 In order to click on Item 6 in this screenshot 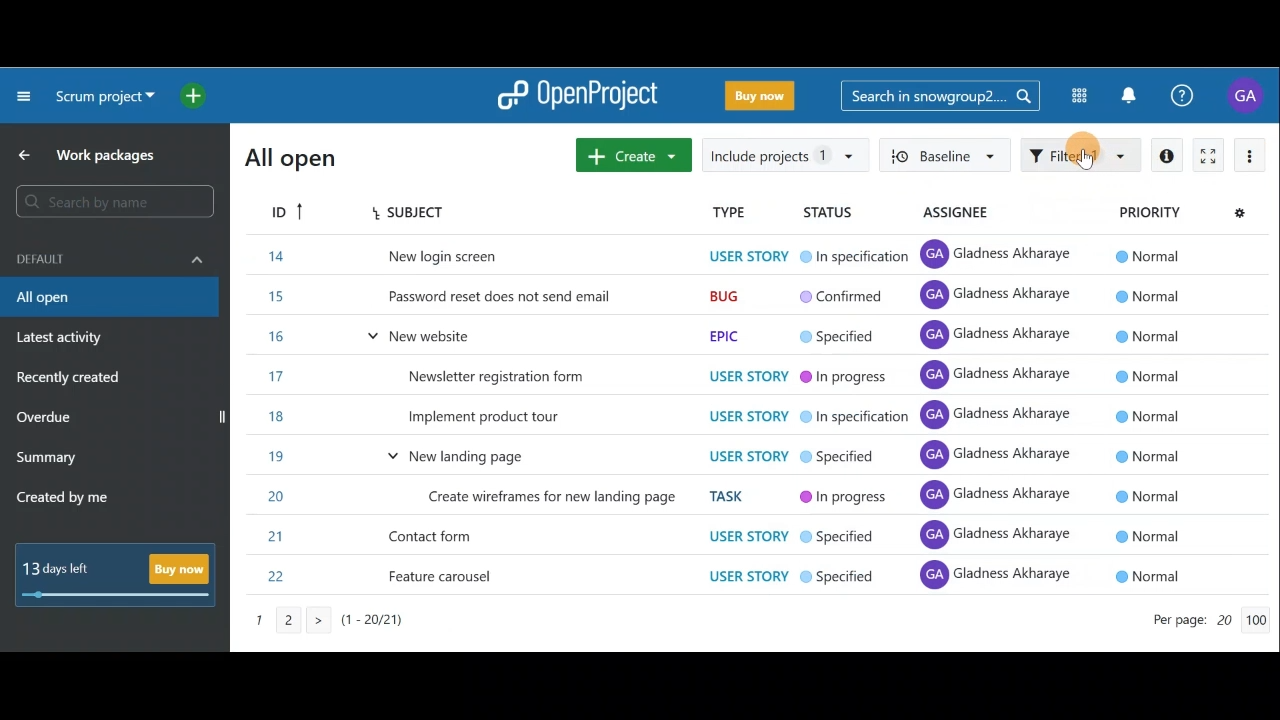, I will do `click(725, 455)`.